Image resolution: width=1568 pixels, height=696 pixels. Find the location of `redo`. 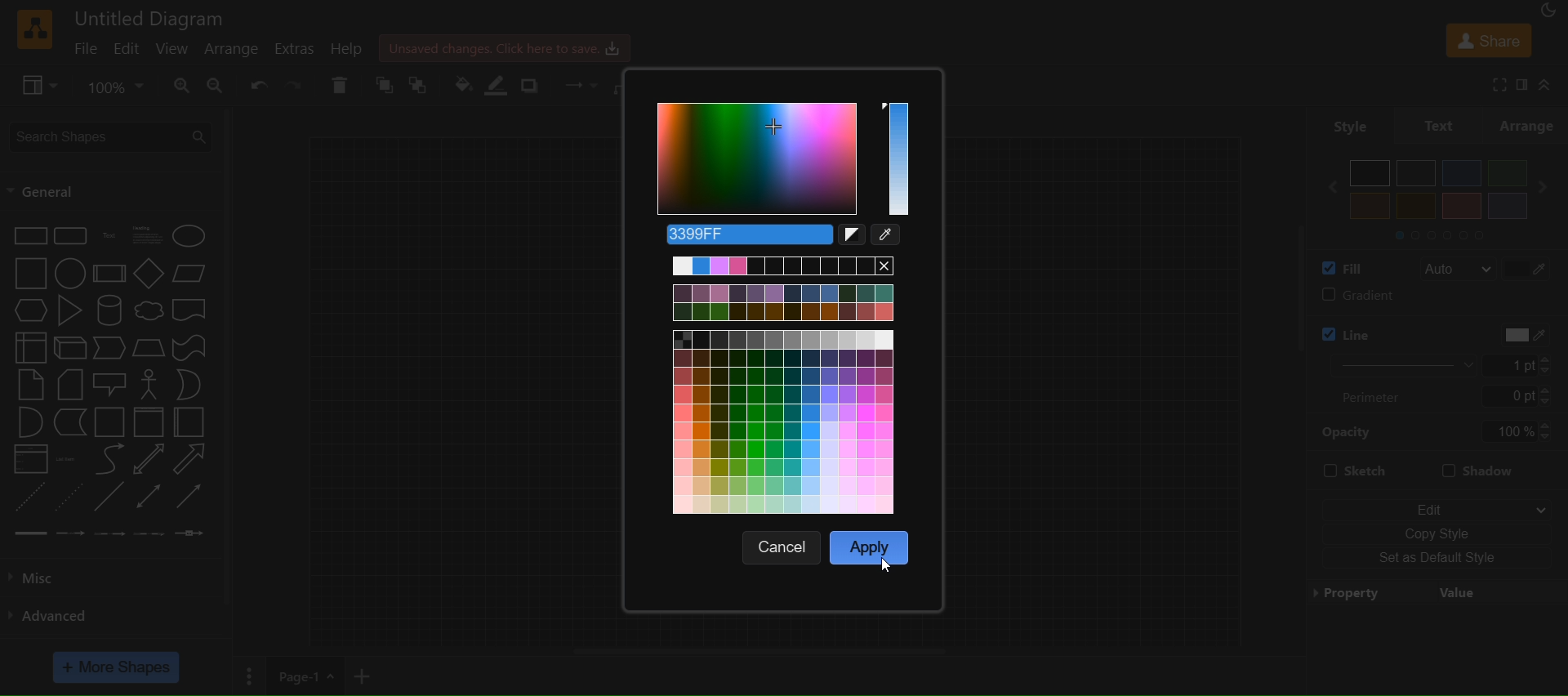

redo is located at coordinates (297, 84).